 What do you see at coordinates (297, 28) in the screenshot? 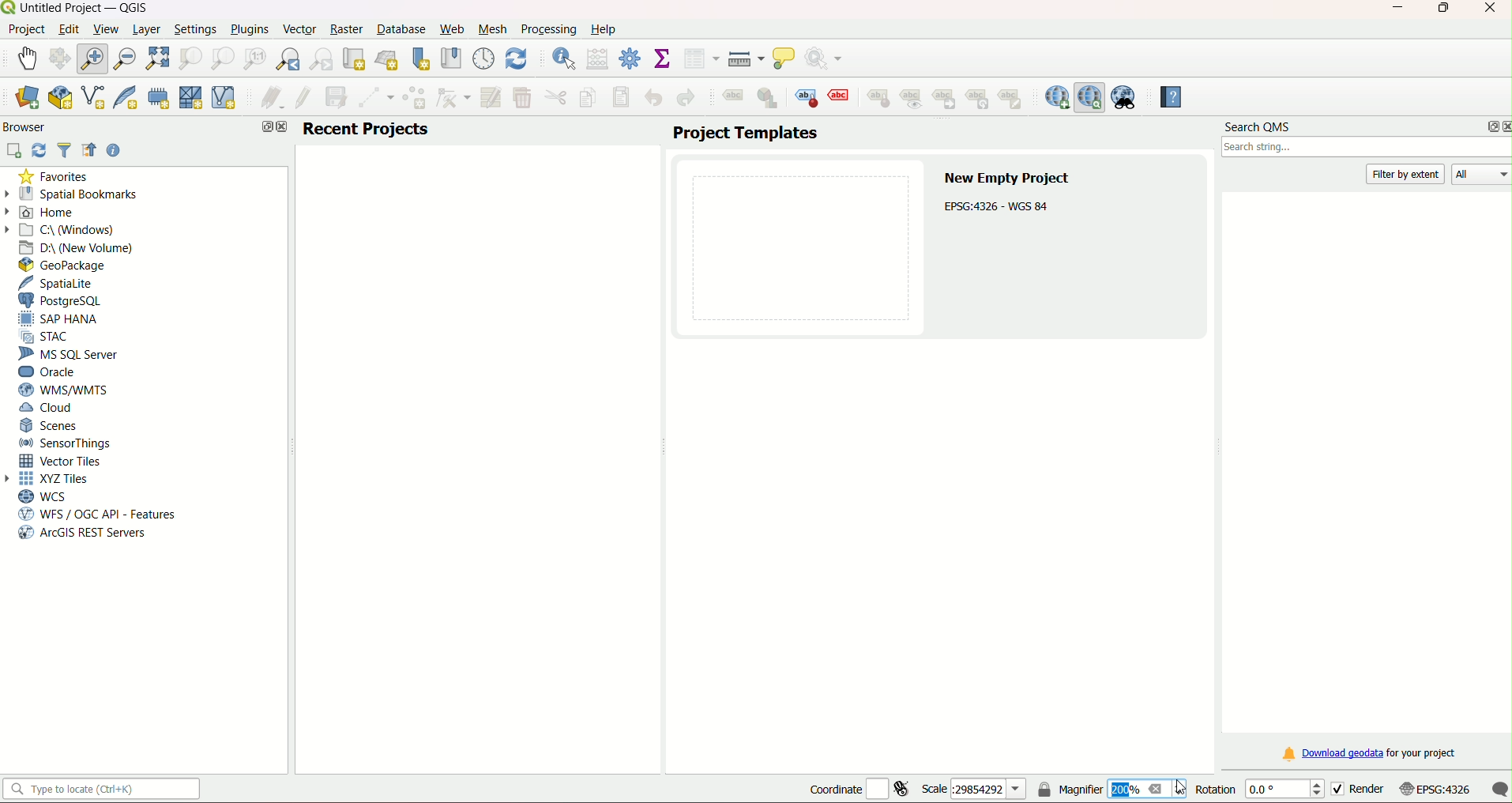
I see `Vector` at bounding box center [297, 28].